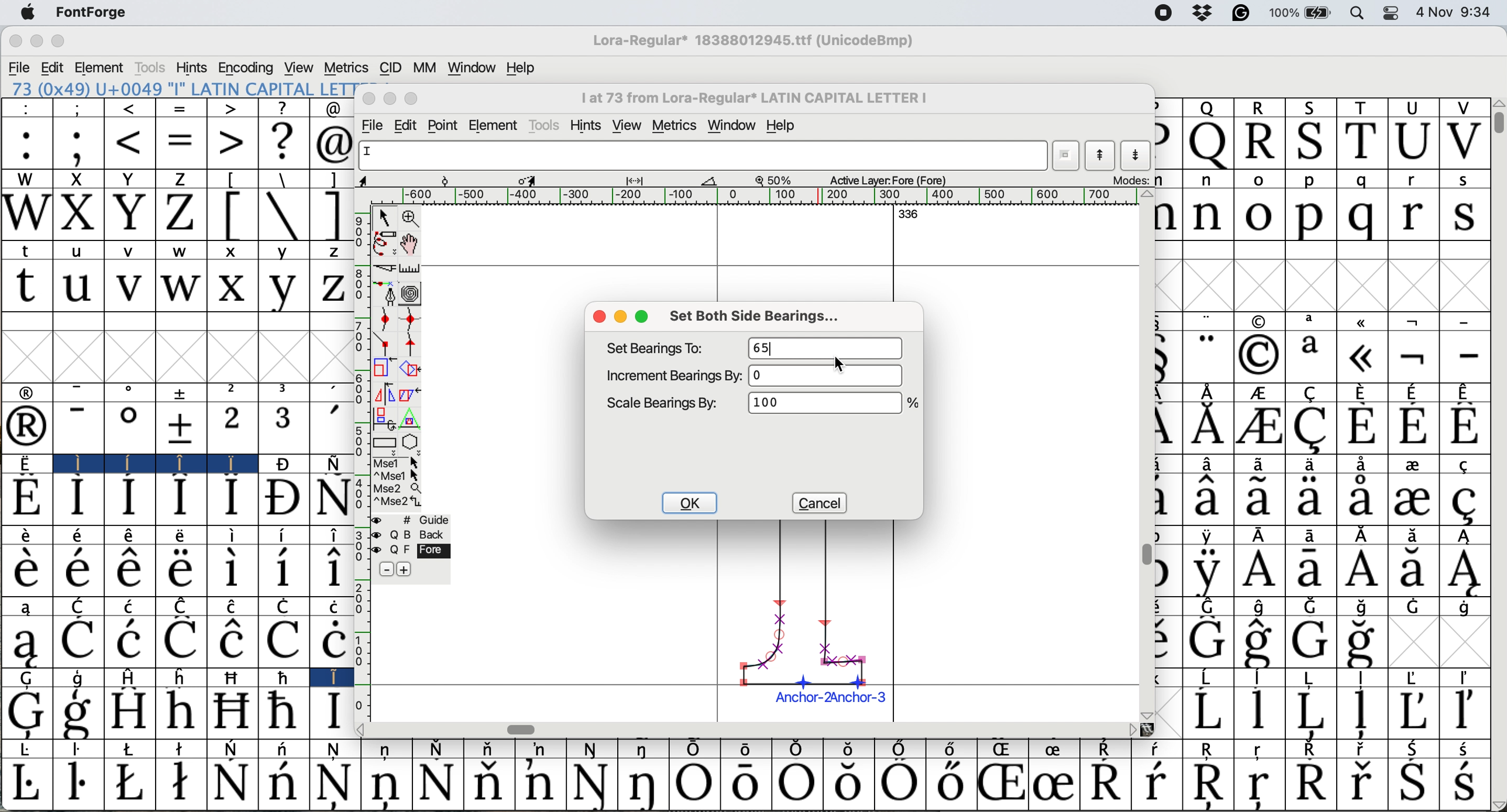  I want to click on glyph name, so click(699, 156).